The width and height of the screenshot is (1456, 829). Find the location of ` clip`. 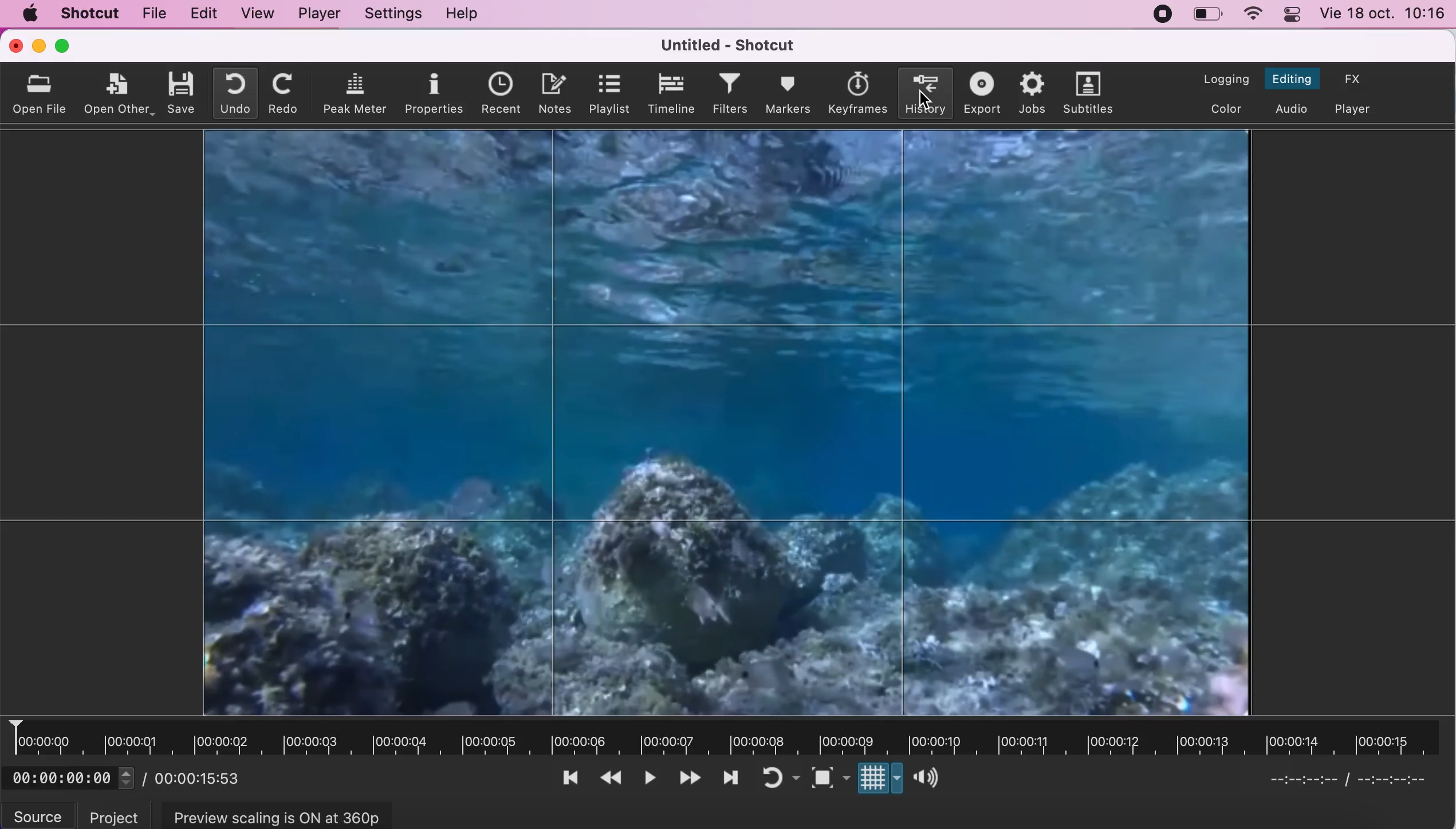

 clip is located at coordinates (709, 423).